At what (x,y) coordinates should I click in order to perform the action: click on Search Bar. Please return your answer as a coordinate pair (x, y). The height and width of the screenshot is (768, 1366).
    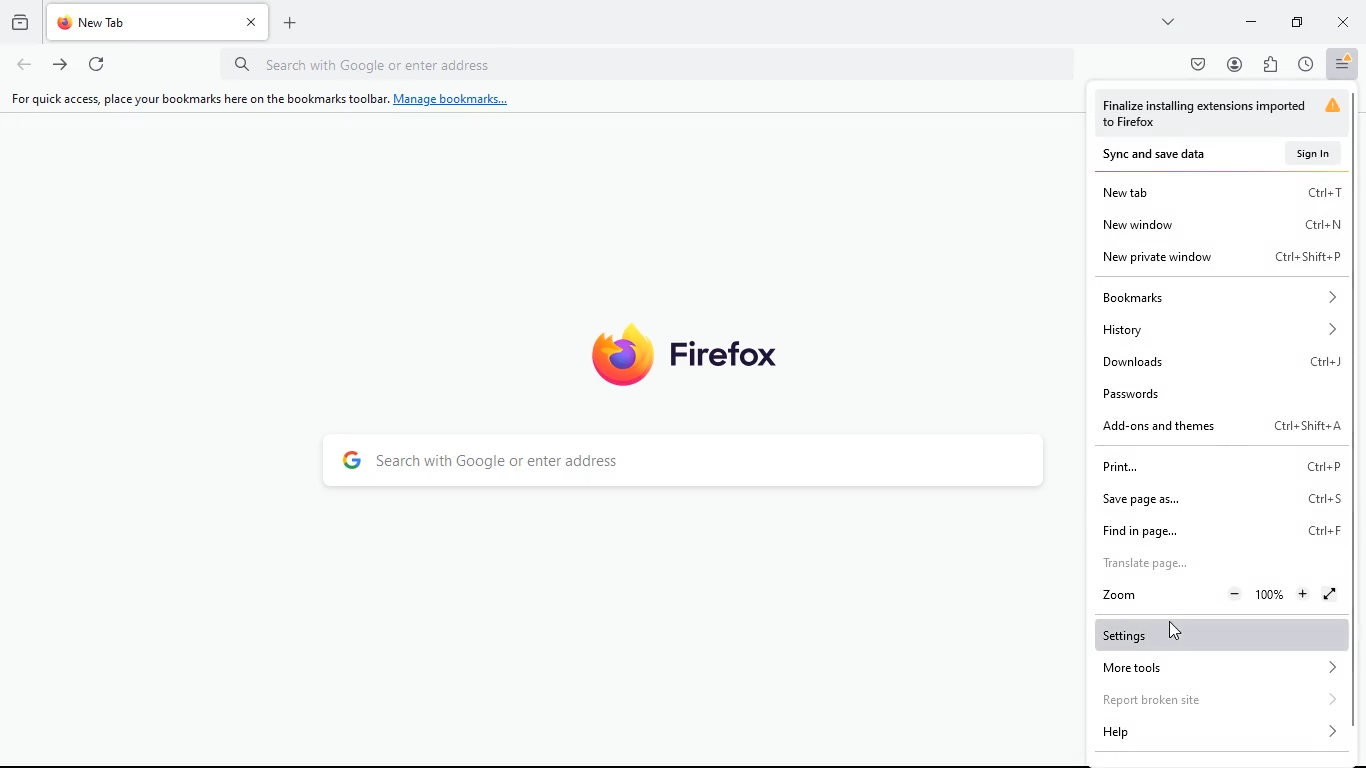
    Looking at the image, I should click on (646, 63).